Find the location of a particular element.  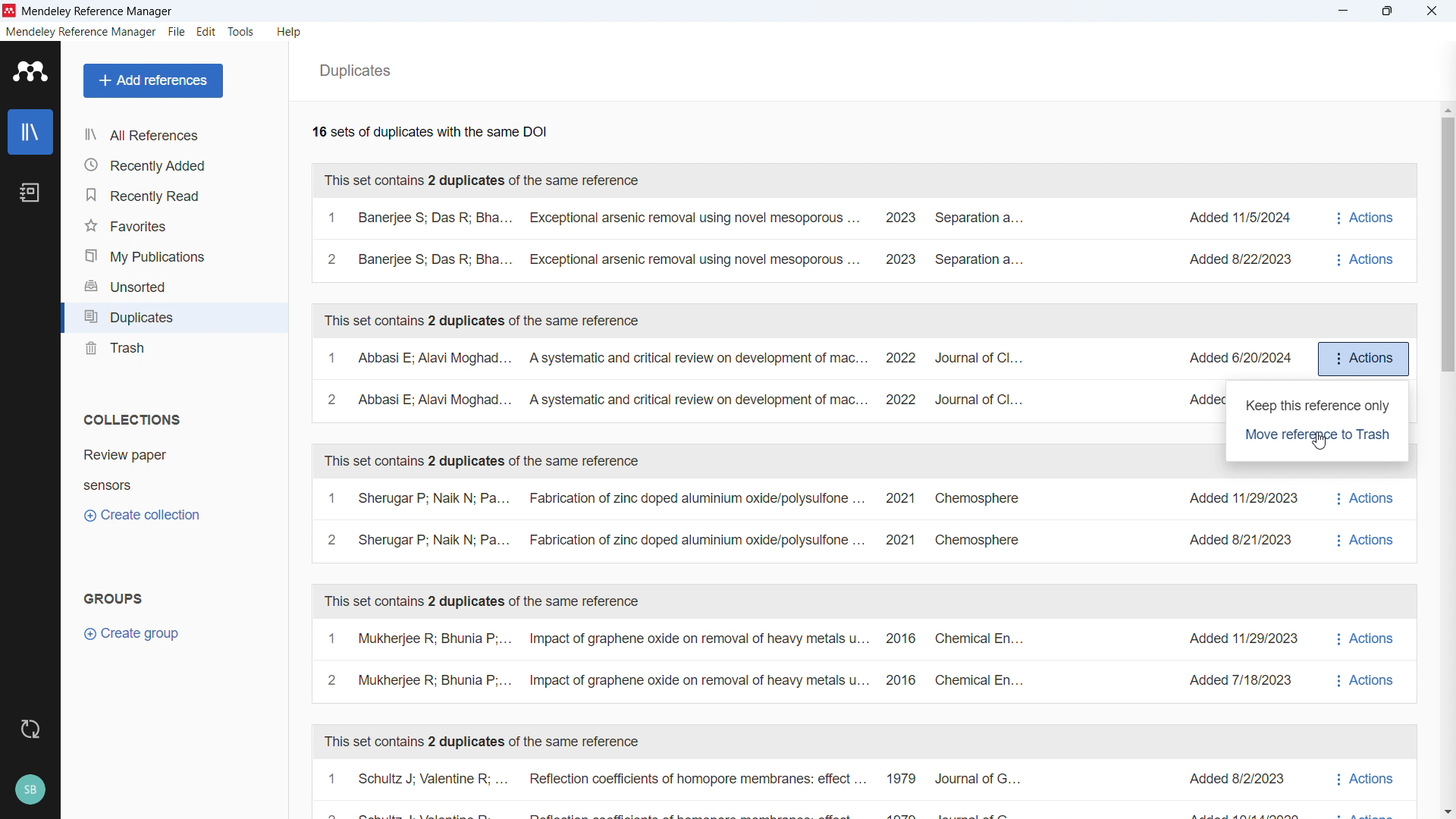

Scroll down  is located at coordinates (1447, 810).